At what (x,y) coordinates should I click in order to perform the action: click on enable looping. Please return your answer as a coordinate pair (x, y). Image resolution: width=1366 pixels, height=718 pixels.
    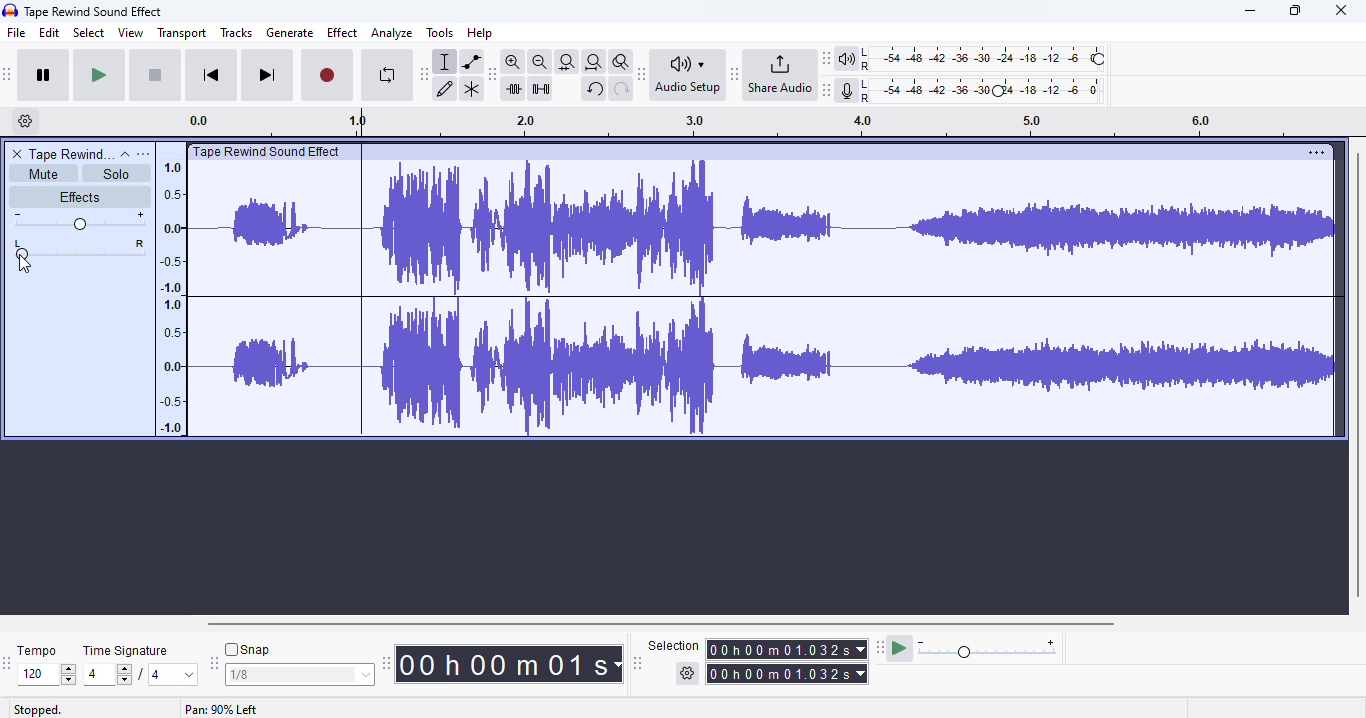
    Looking at the image, I should click on (388, 75).